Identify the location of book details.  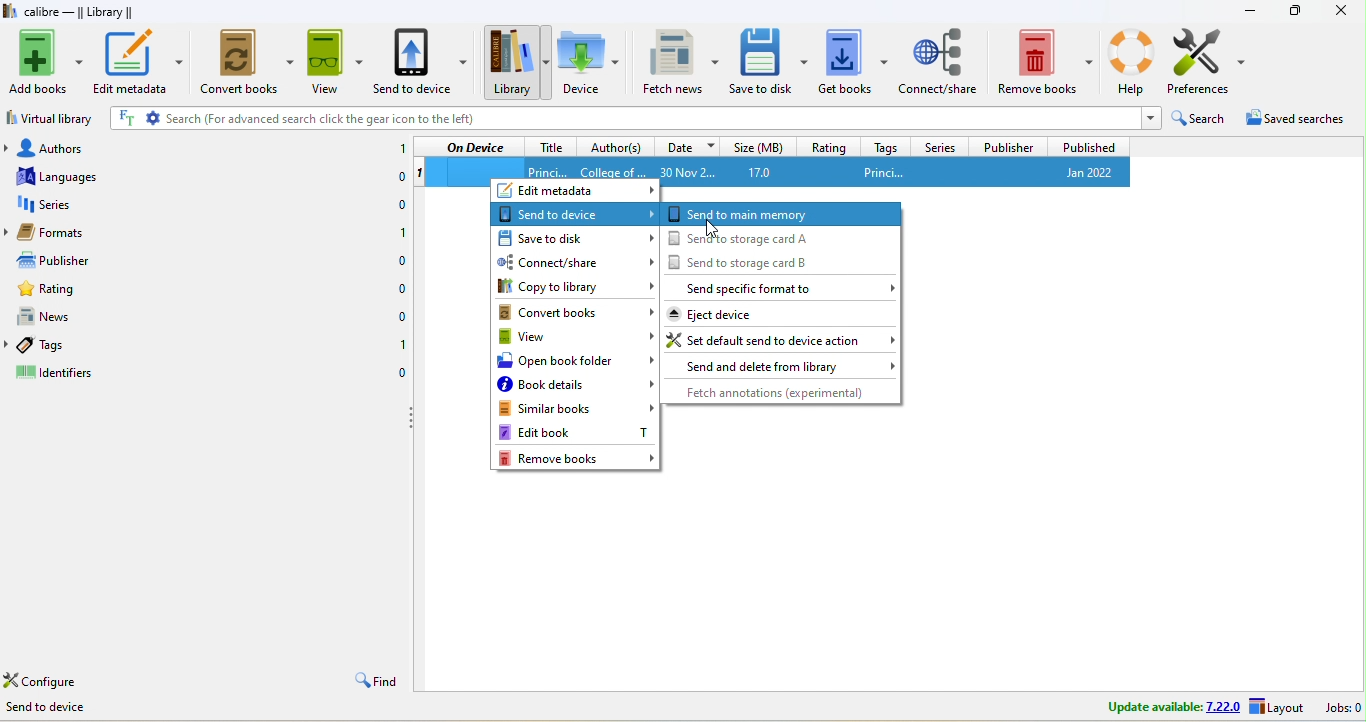
(574, 386).